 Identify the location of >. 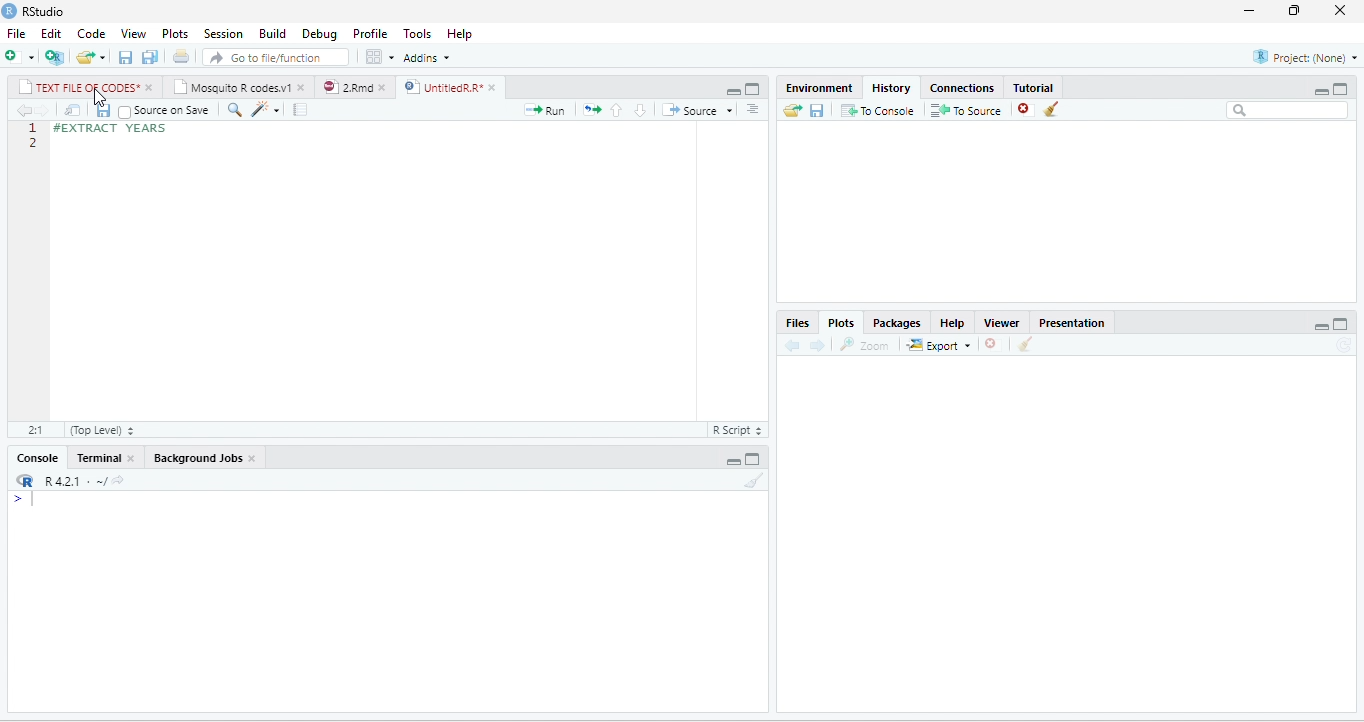
(24, 500).